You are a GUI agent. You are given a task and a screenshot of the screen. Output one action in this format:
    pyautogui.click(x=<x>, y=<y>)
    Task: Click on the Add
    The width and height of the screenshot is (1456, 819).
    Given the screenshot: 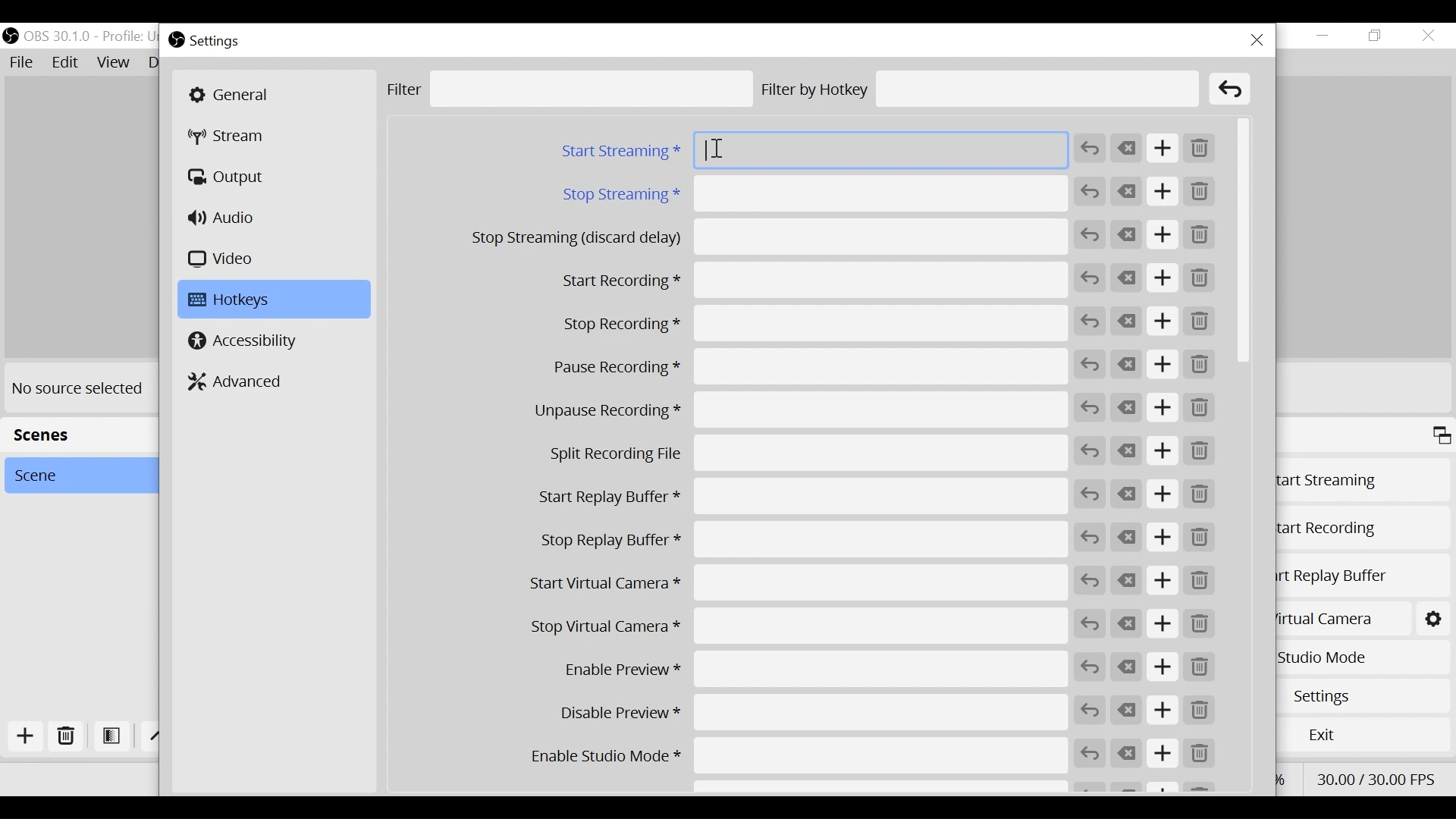 What is the action you would take?
    pyautogui.click(x=1164, y=496)
    